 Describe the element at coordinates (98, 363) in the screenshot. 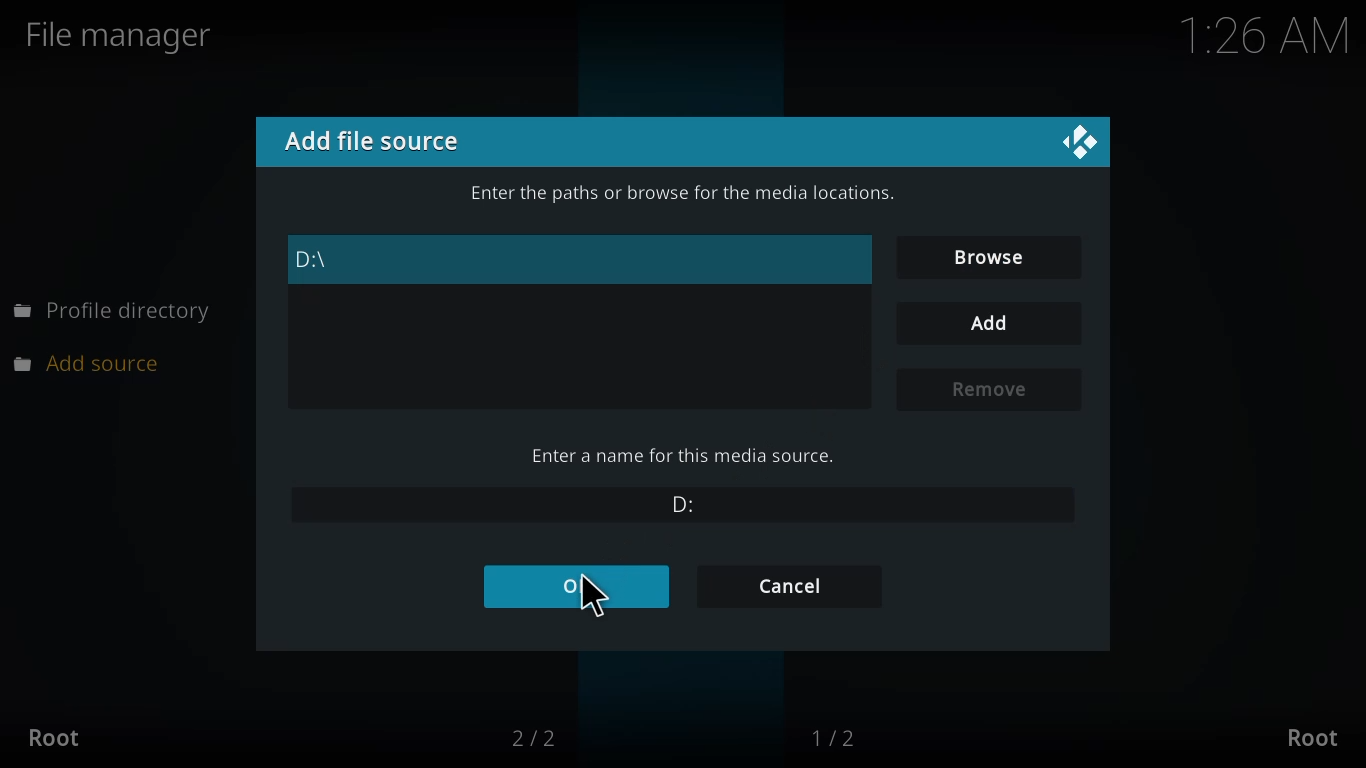

I see `Add source` at that location.